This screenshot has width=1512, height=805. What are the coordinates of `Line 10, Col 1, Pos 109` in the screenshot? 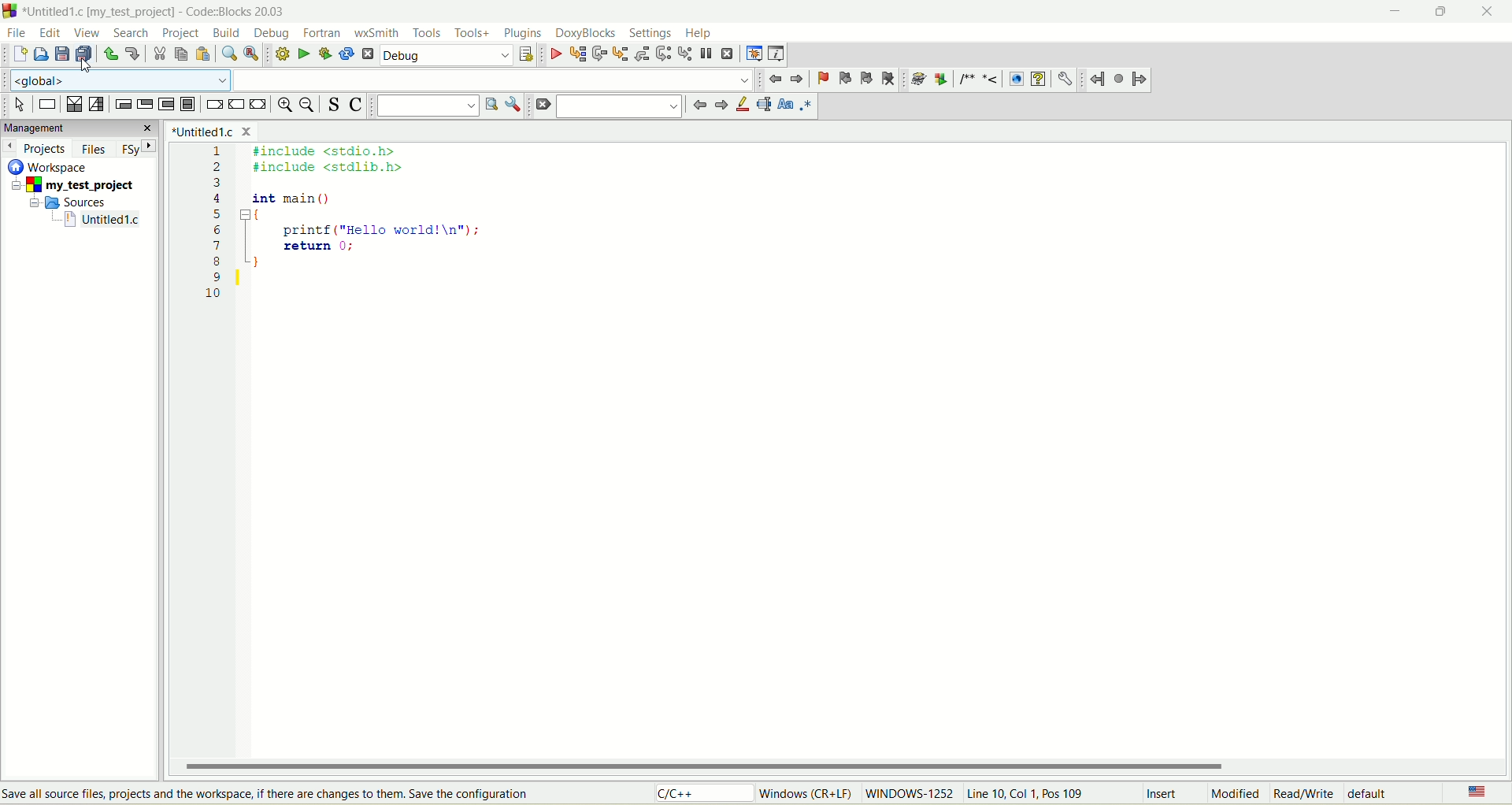 It's located at (1029, 793).